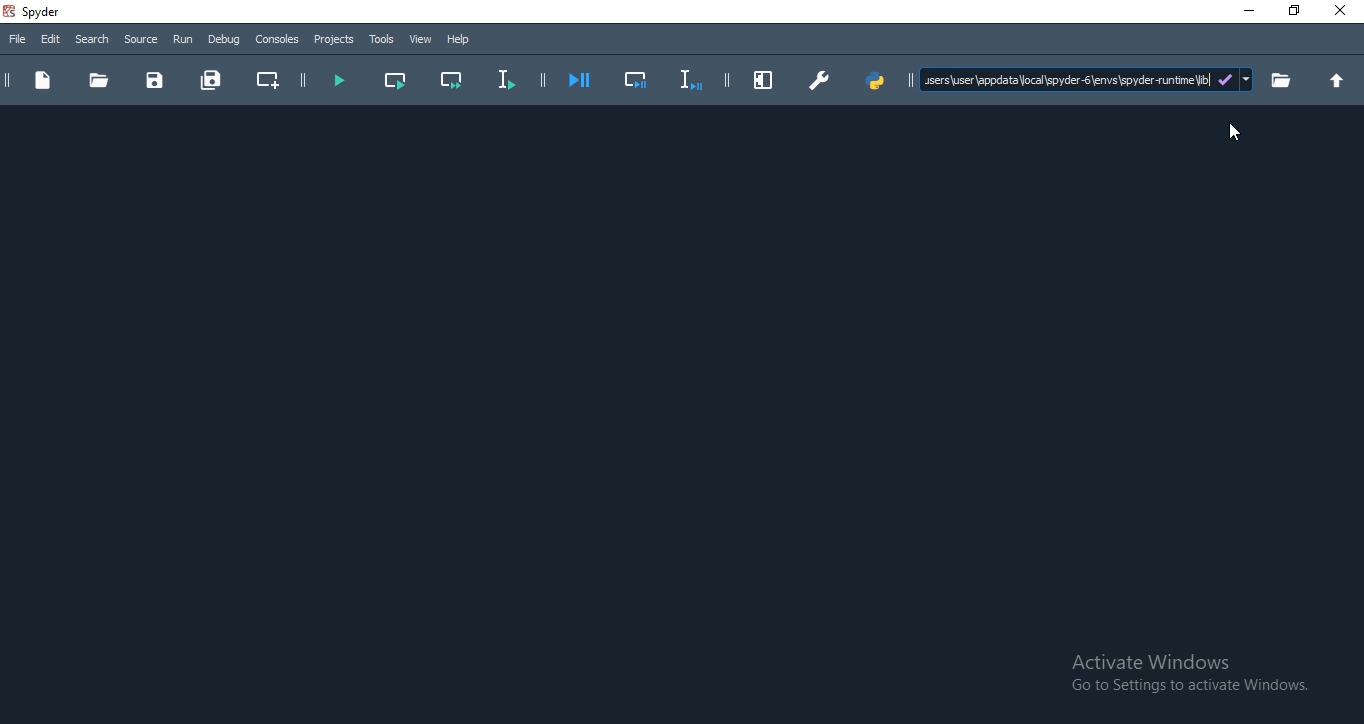 Image resolution: width=1364 pixels, height=724 pixels. Describe the element at coordinates (1294, 12) in the screenshot. I see `Restore` at that location.